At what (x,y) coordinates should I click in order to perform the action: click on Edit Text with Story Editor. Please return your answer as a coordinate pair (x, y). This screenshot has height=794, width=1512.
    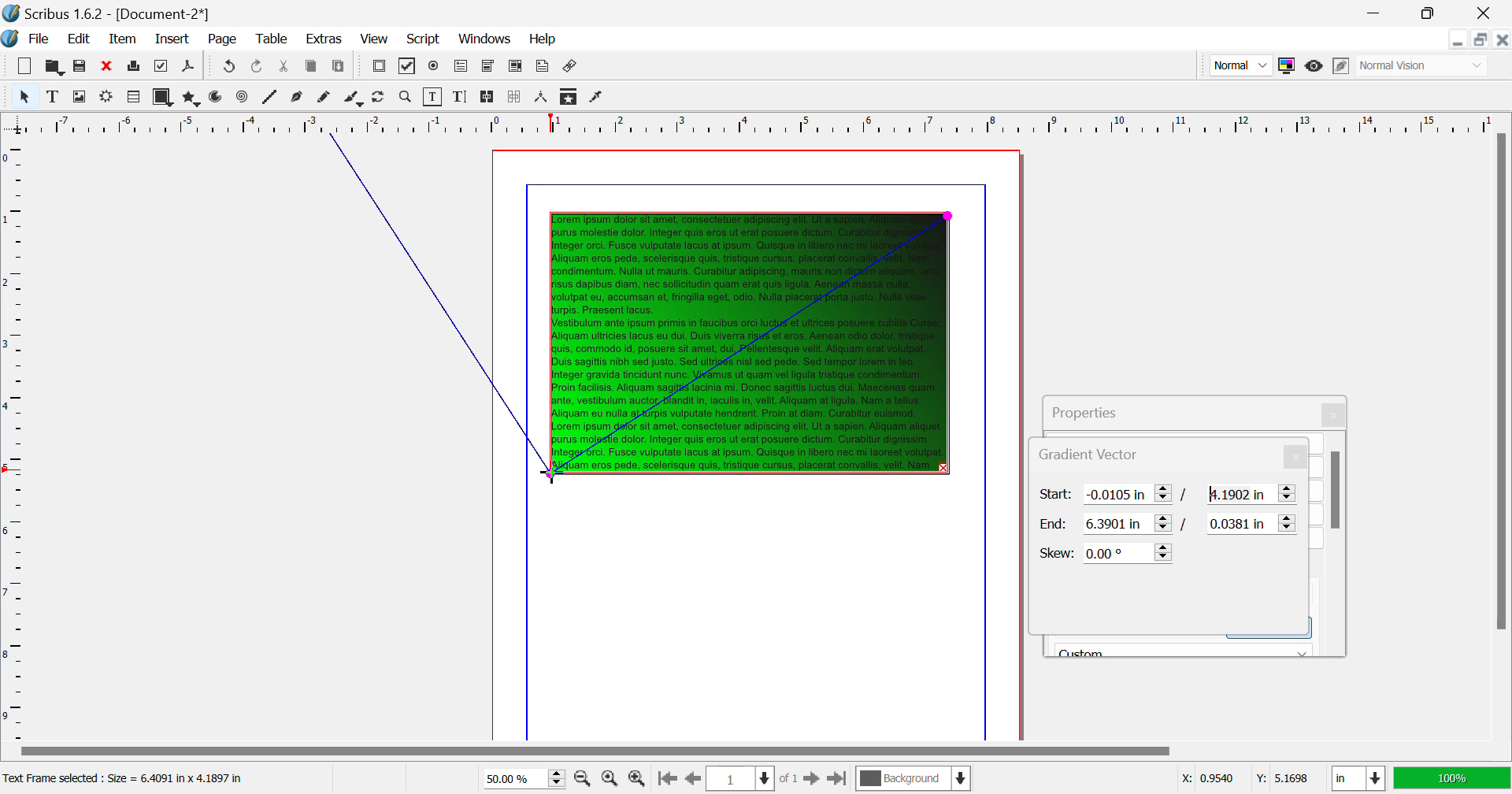
    Looking at the image, I should click on (460, 97).